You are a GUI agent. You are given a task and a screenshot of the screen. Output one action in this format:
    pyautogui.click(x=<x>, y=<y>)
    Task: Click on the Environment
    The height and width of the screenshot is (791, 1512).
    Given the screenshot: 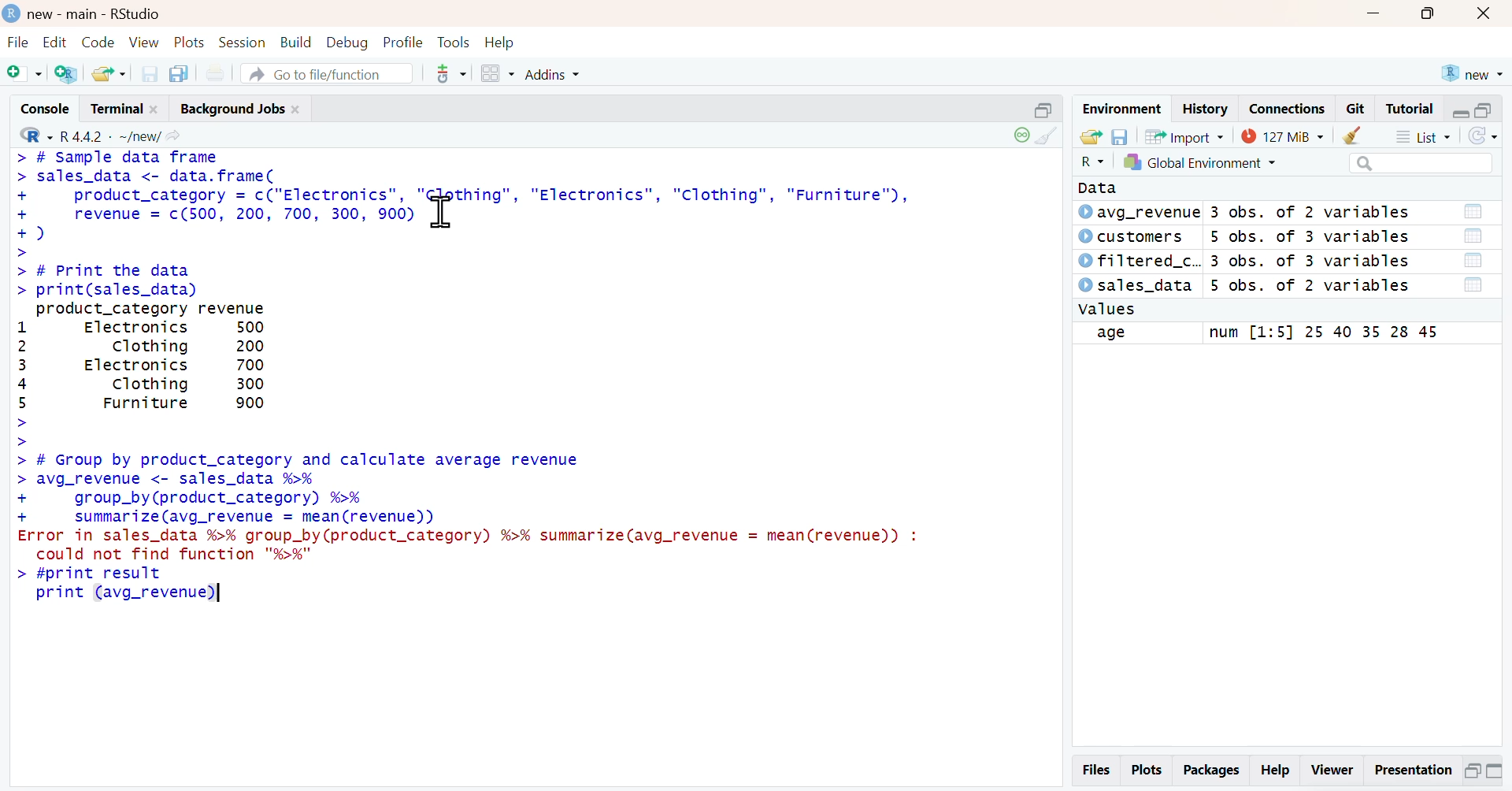 What is the action you would take?
    pyautogui.click(x=1122, y=109)
    